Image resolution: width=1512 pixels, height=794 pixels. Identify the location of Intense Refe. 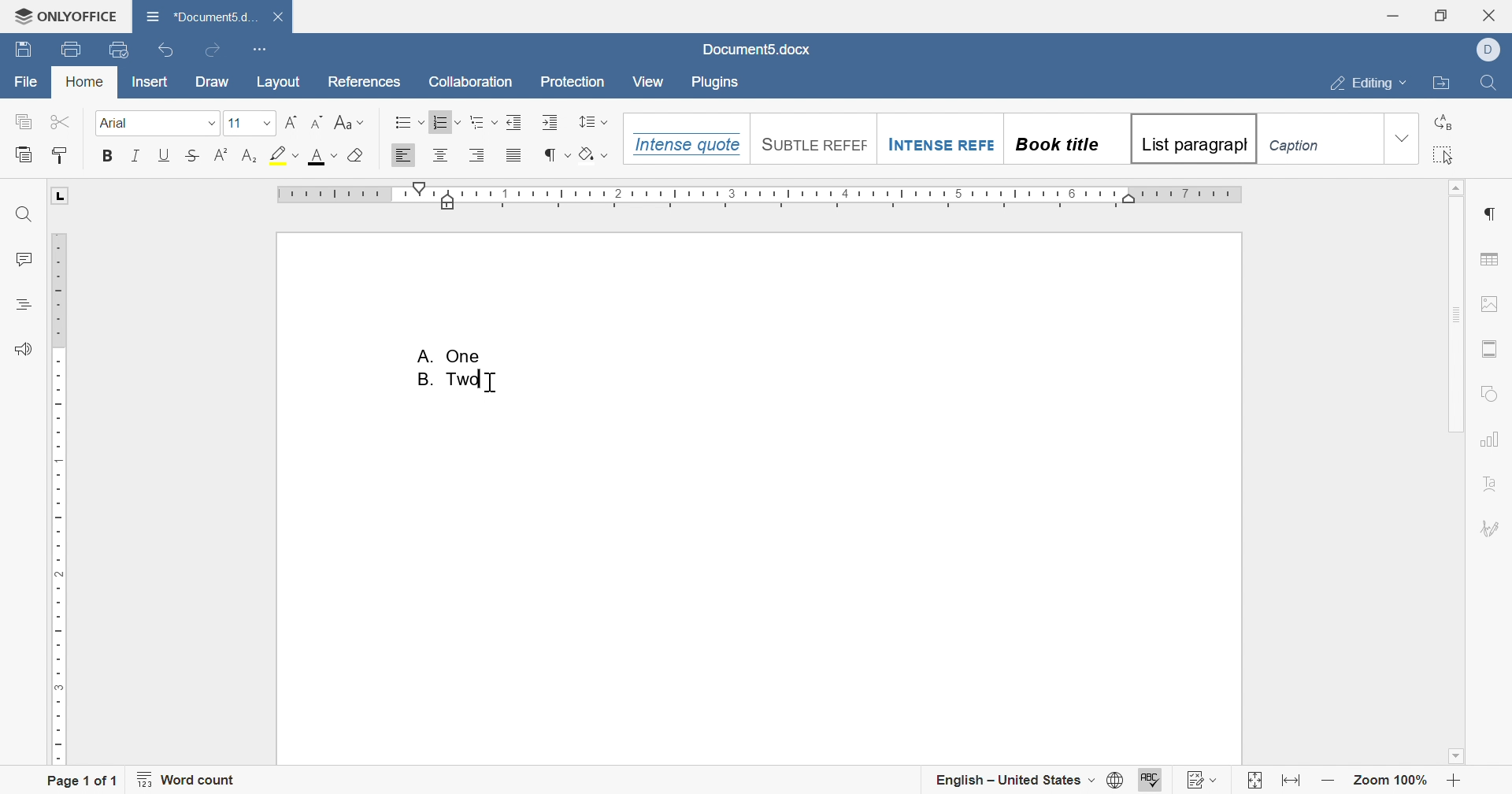
(939, 147).